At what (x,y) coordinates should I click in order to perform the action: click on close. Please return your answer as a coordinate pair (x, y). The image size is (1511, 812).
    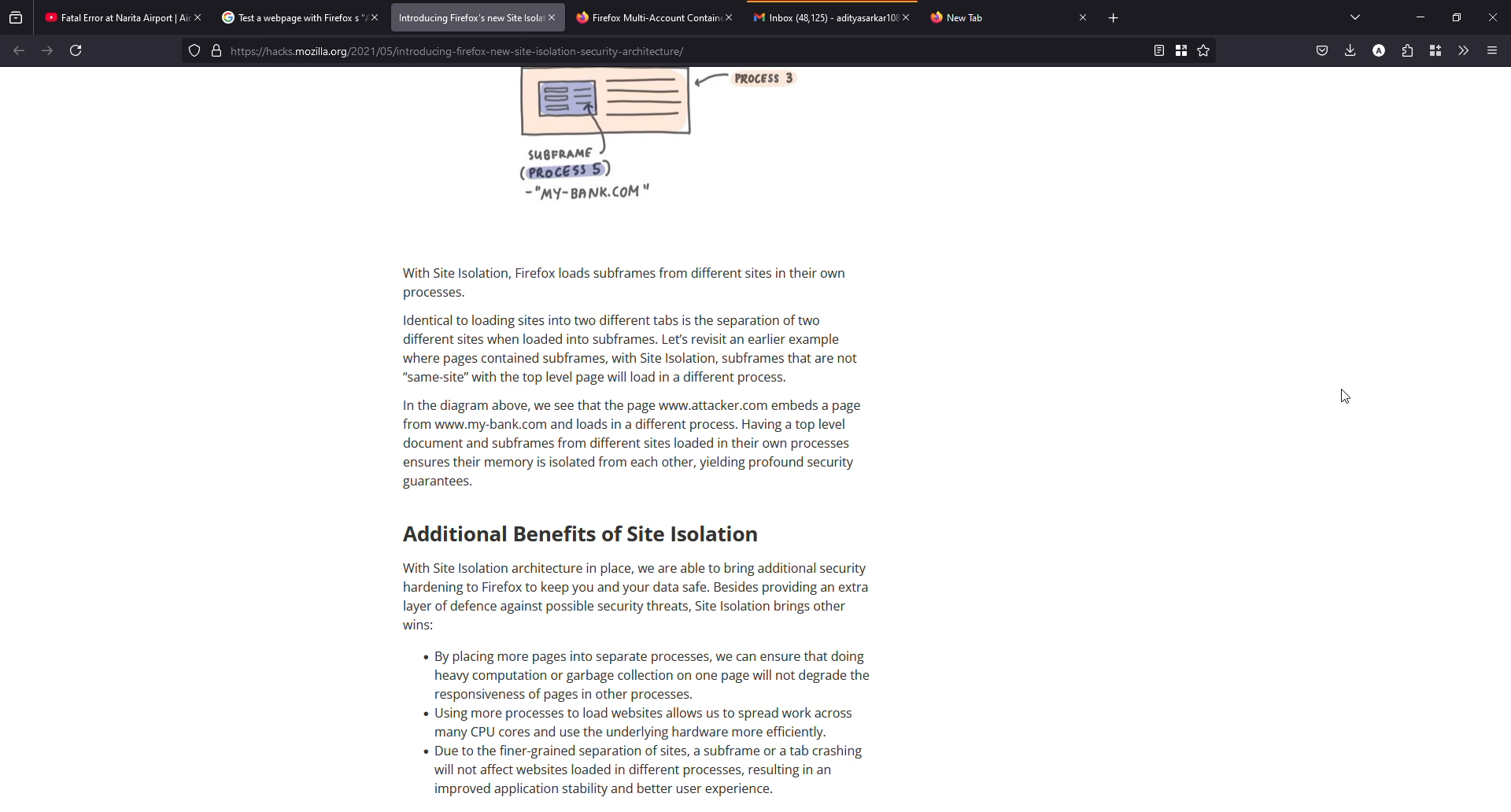
    Looking at the image, I should click on (372, 17).